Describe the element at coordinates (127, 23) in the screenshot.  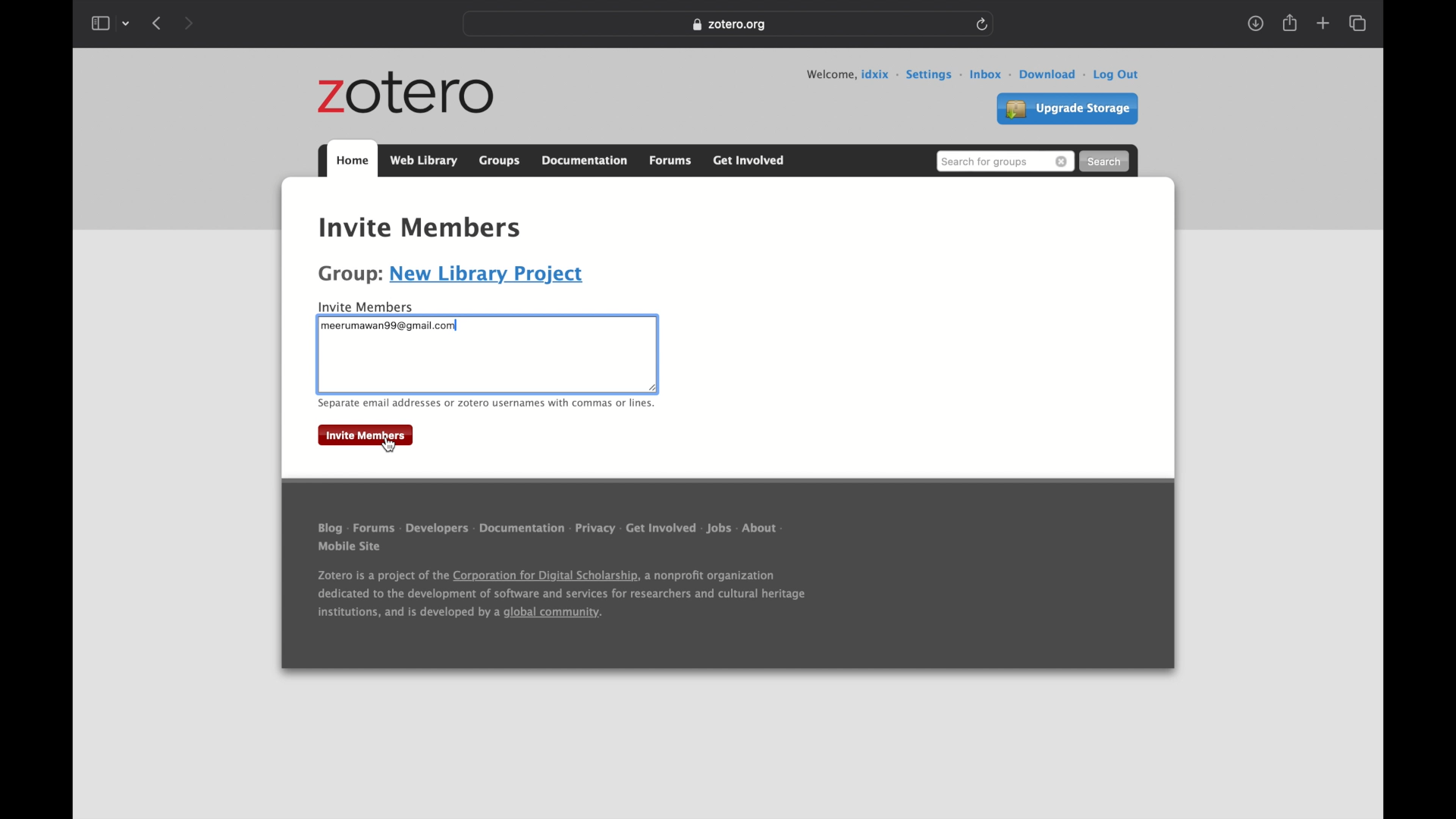
I see `tab group picker` at that location.